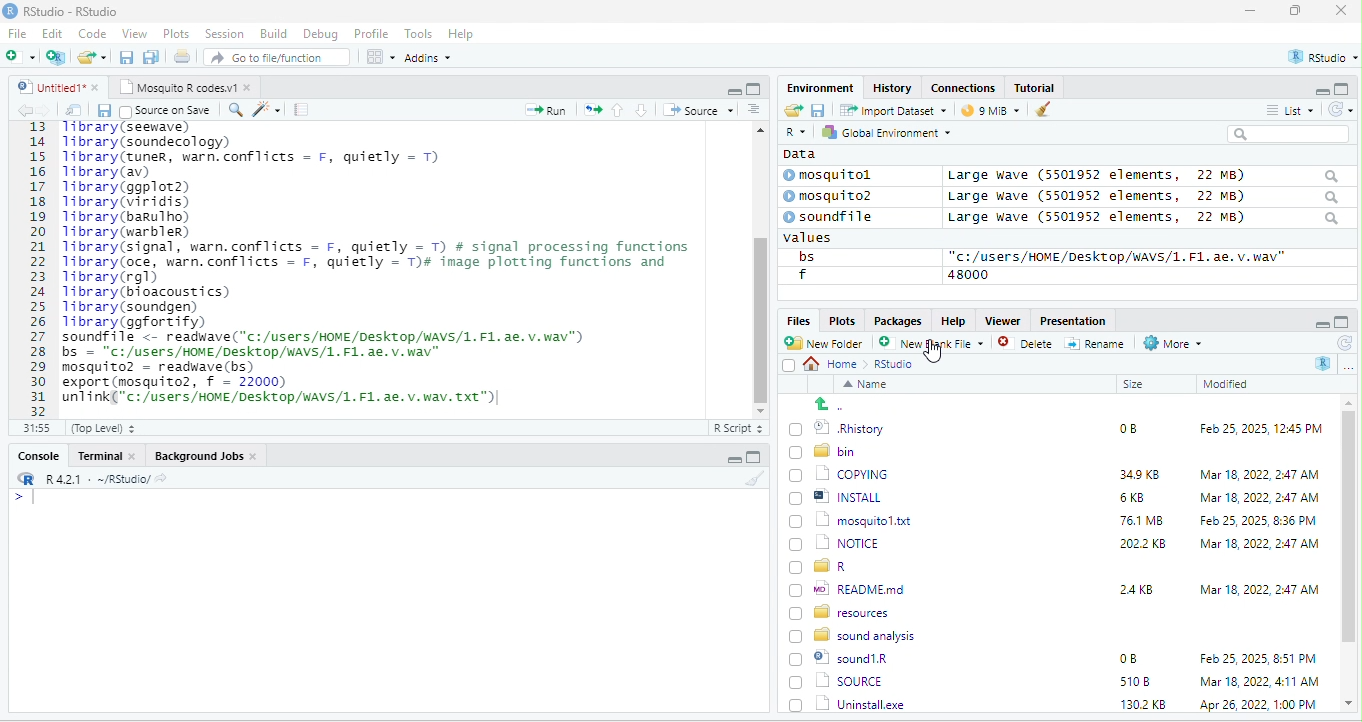 The width and height of the screenshot is (1362, 722). Describe the element at coordinates (698, 109) in the screenshot. I see `+ Source +` at that location.